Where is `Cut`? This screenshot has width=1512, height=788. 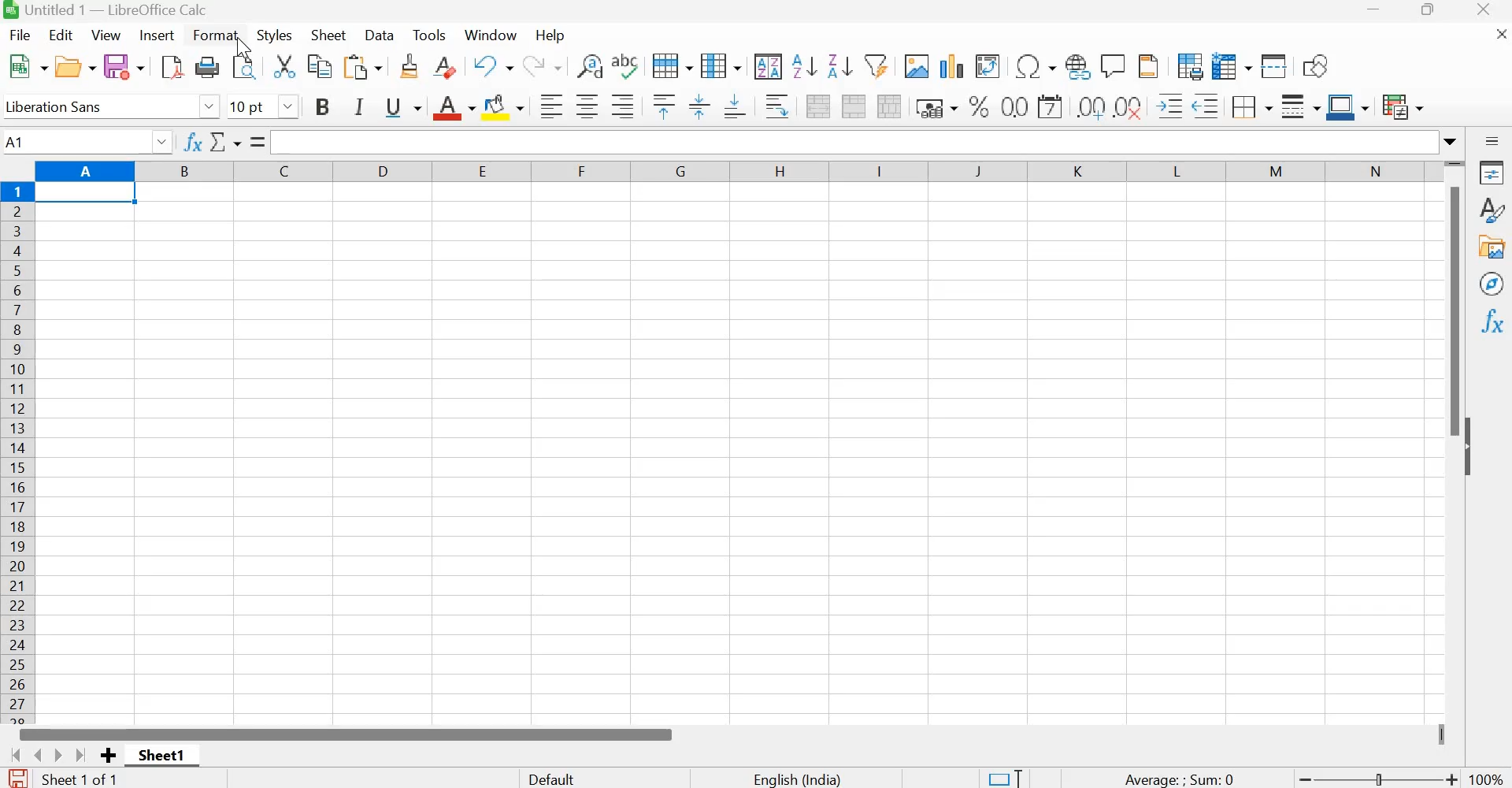 Cut is located at coordinates (284, 68).